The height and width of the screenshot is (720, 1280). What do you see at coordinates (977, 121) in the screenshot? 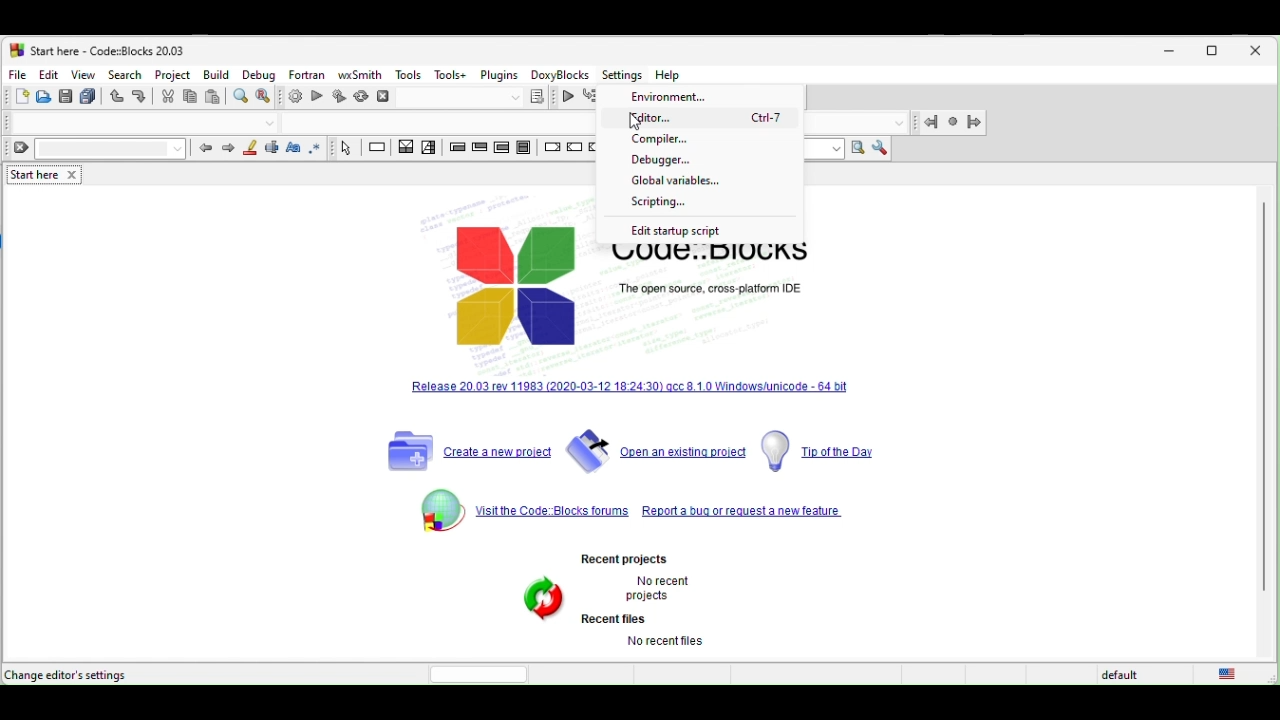
I see `jump forward` at bounding box center [977, 121].